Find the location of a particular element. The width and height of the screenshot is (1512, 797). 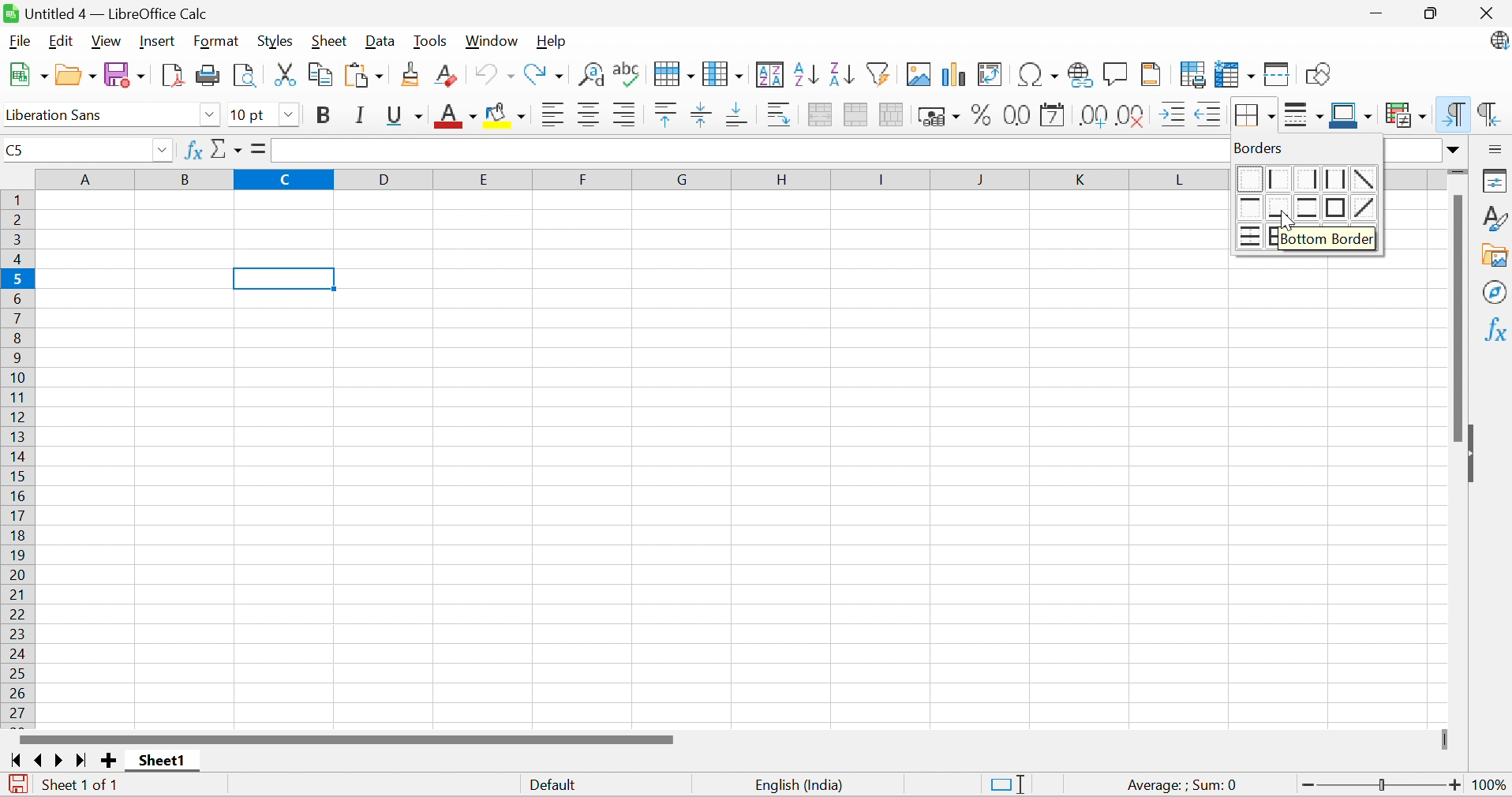

Left and right border is located at coordinates (1336, 178).